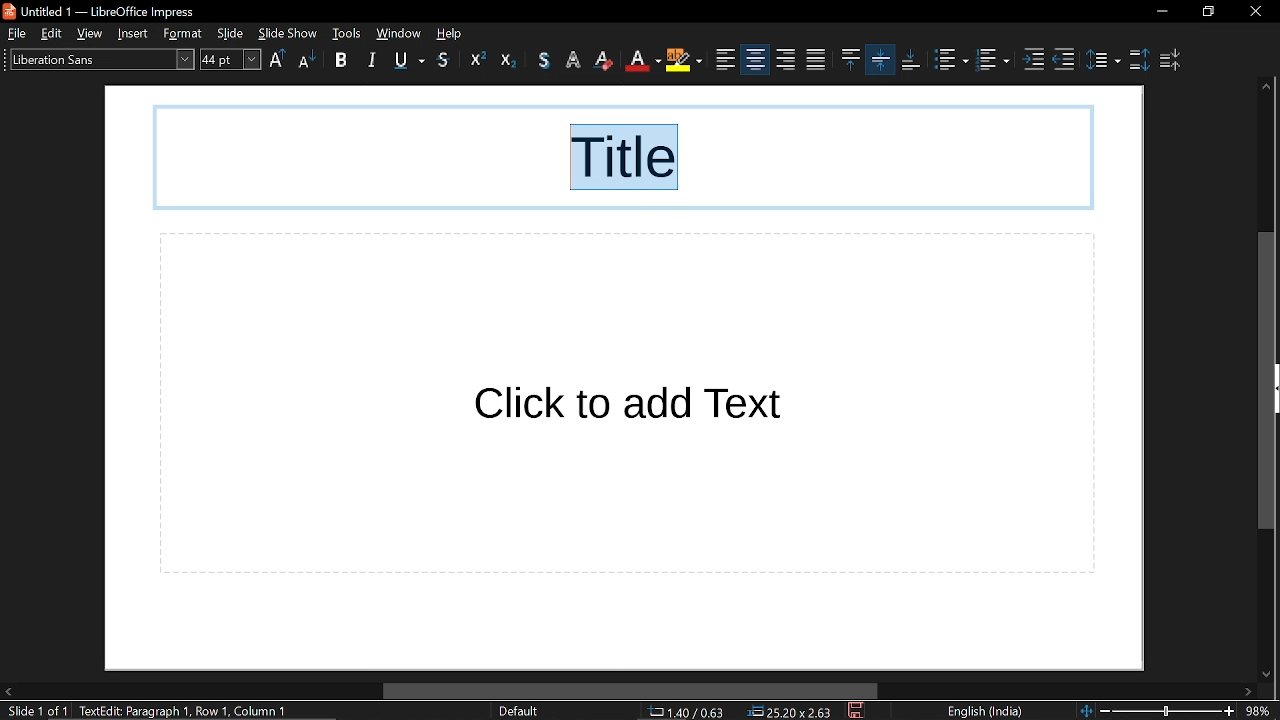 The width and height of the screenshot is (1280, 720). I want to click on text style, so click(96, 58).